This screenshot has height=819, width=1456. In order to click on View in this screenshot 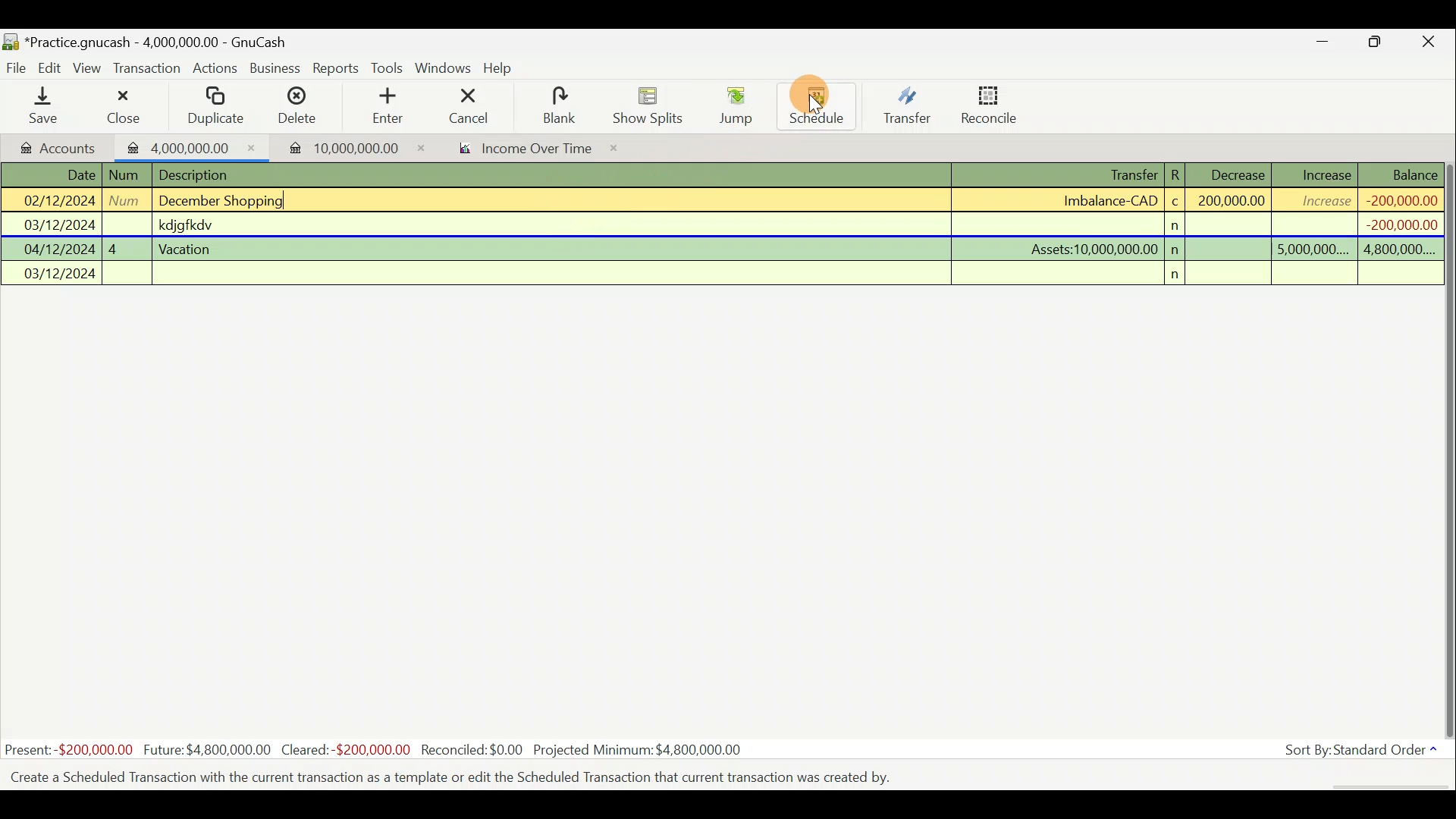, I will do `click(89, 68)`.